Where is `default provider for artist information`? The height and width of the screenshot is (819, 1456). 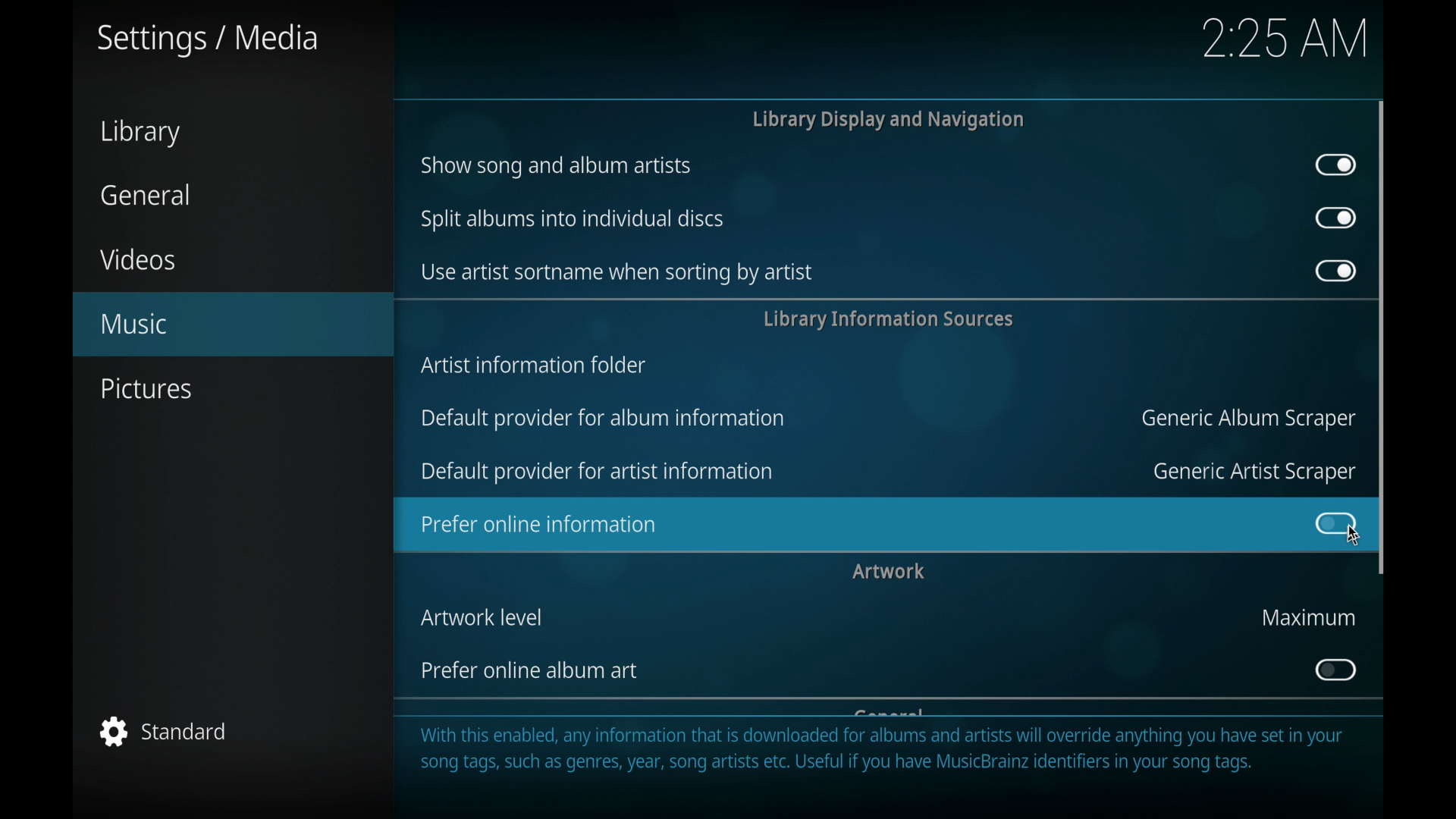
default provider for artist information is located at coordinates (598, 472).